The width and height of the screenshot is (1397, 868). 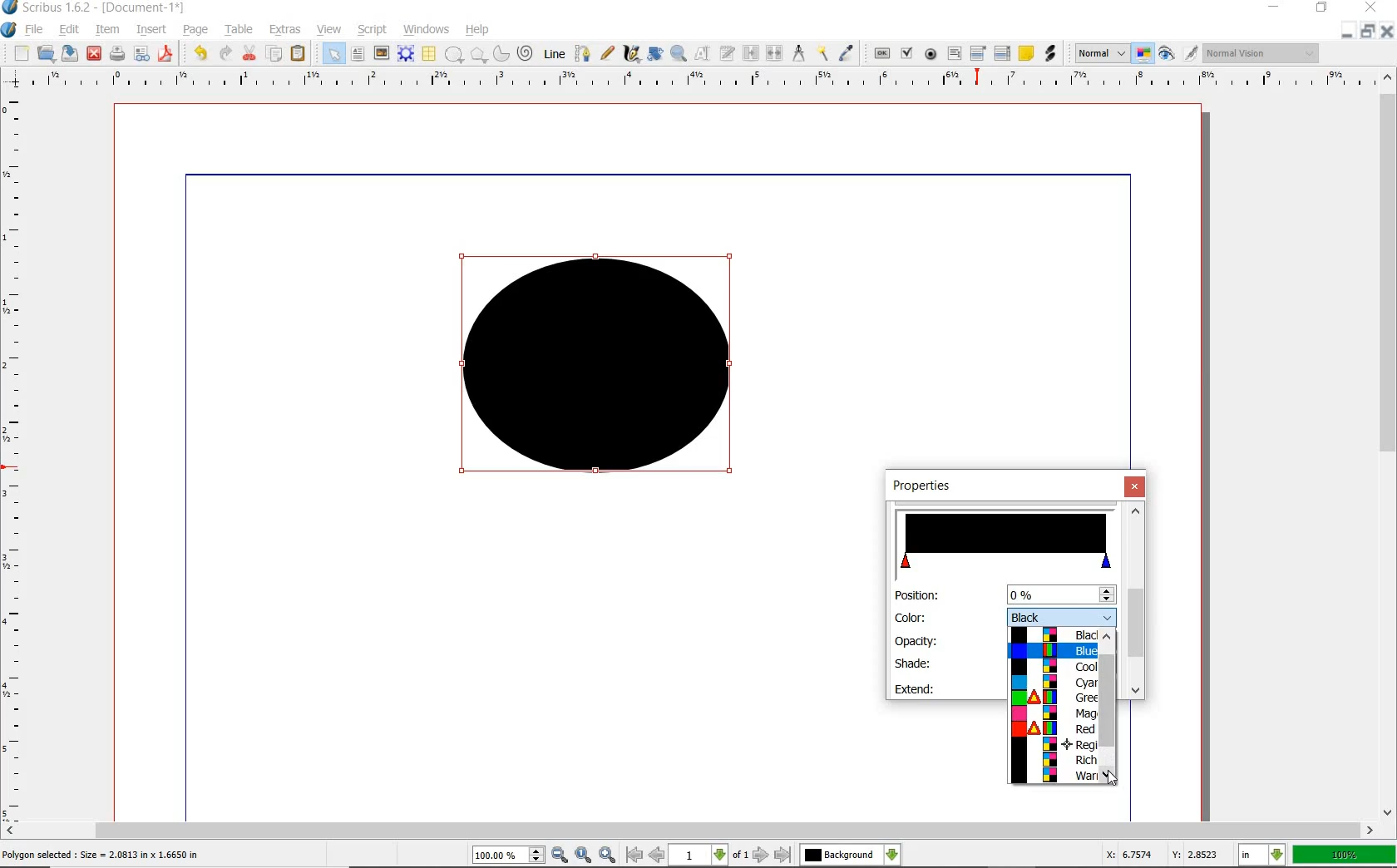 I want to click on CALLIGRAPHIC LINE, so click(x=631, y=54).